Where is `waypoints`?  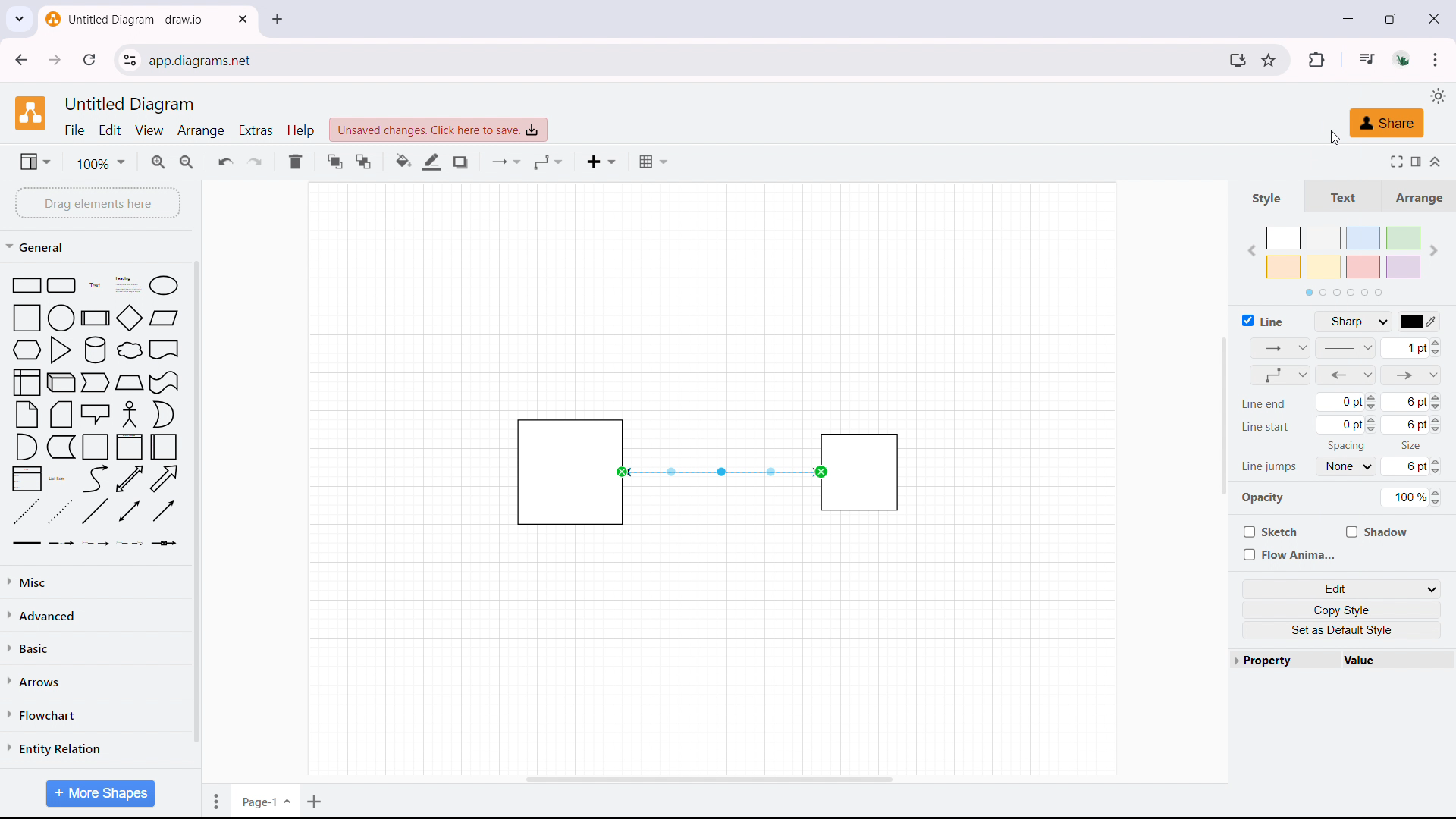 waypoints is located at coordinates (548, 162).